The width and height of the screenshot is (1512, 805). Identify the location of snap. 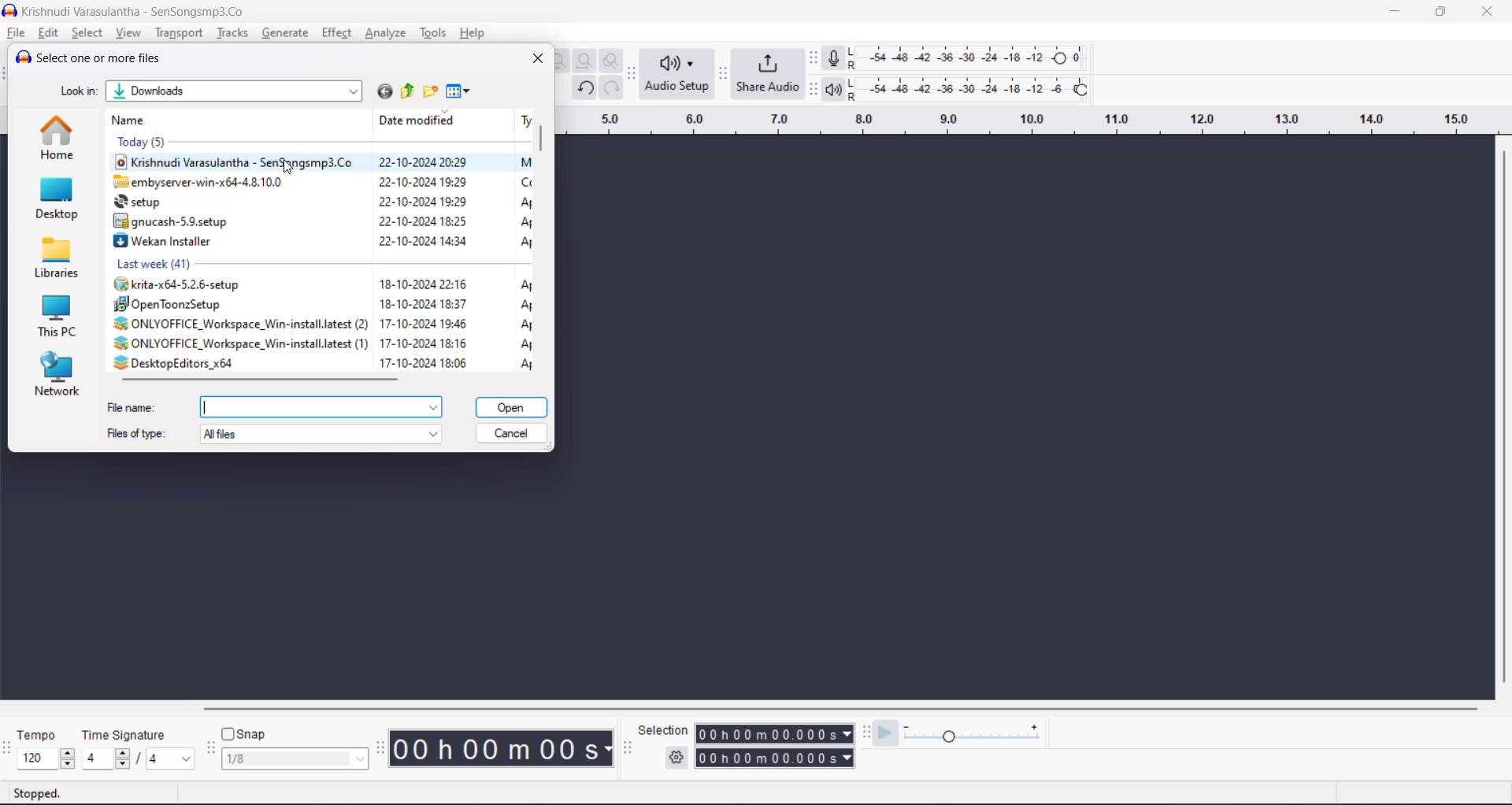
(244, 734).